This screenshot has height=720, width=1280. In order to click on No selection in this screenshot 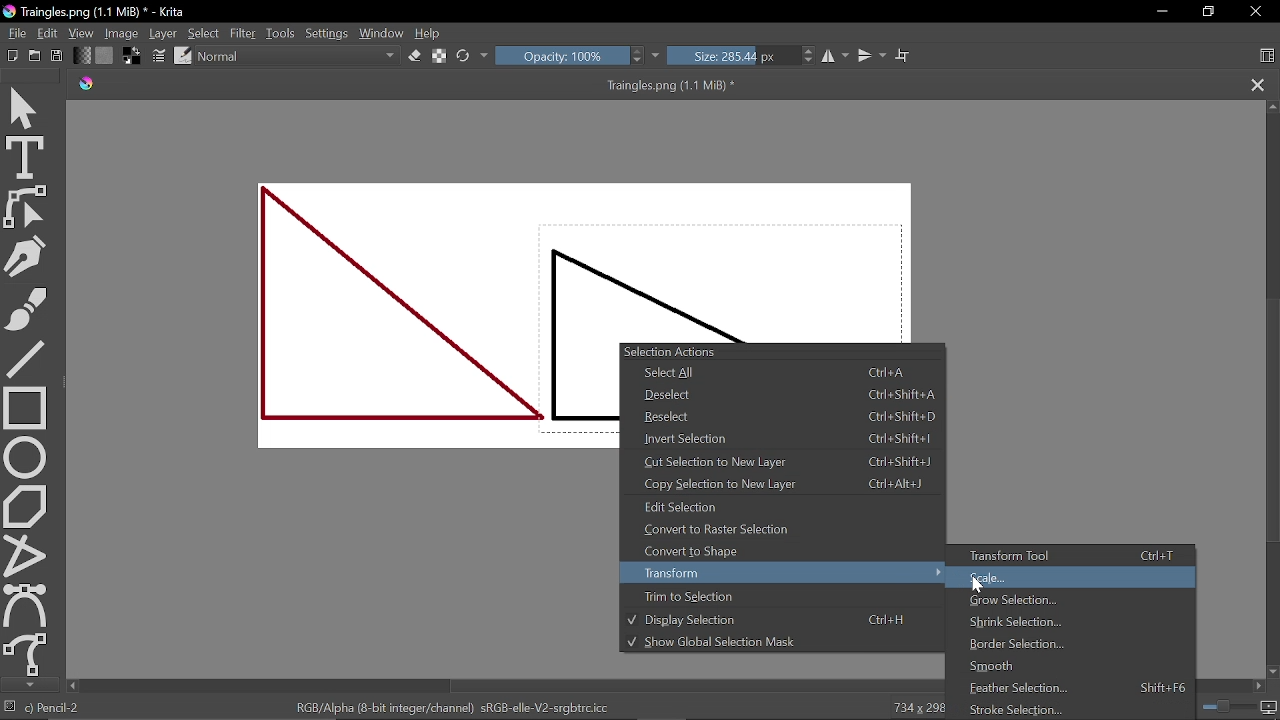, I will do `click(10, 708)`.